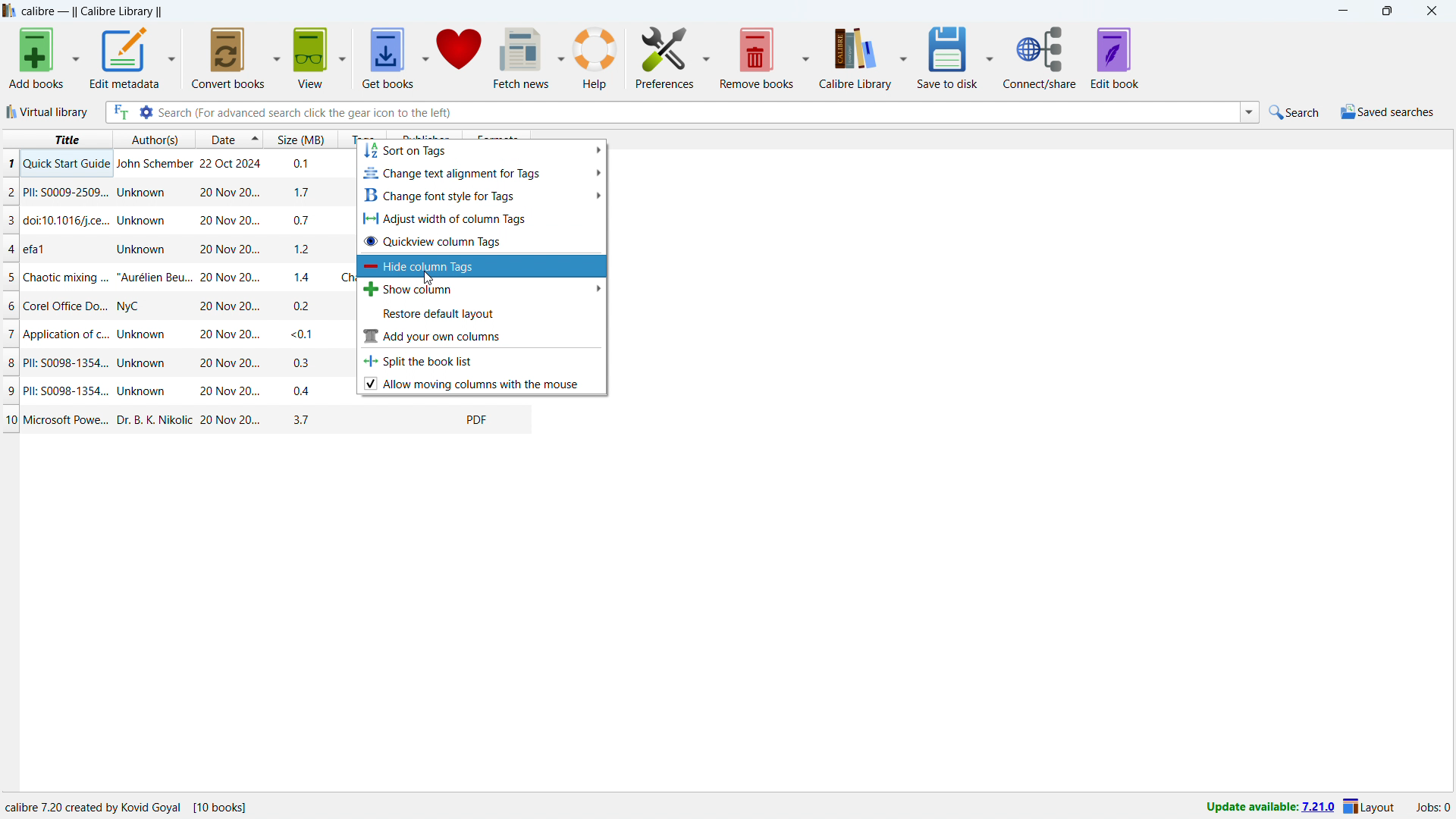  I want to click on title, so click(56, 137).